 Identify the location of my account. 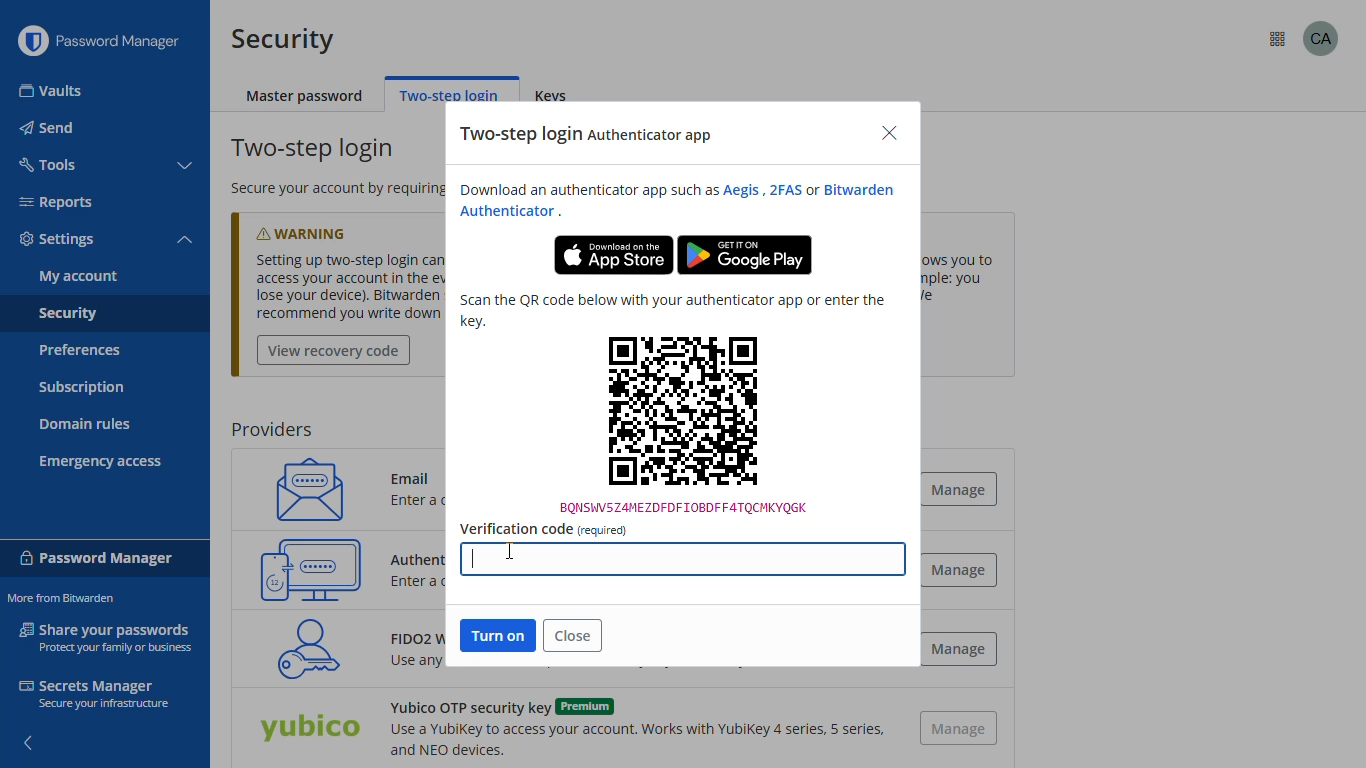
(79, 276).